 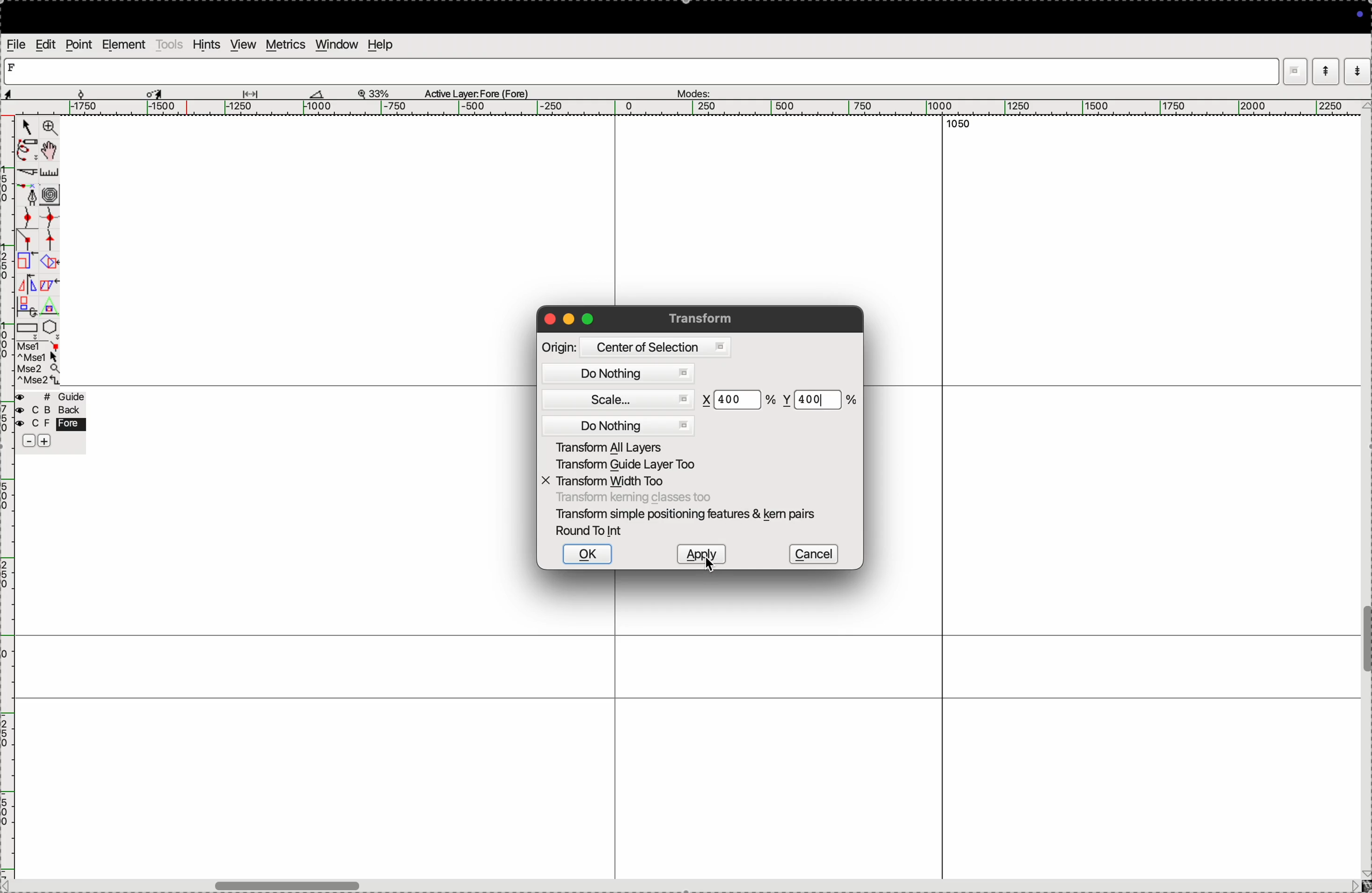 What do you see at coordinates (813, 553) in the screenshot?
I see `cancel` at bounding box center [813, 553].